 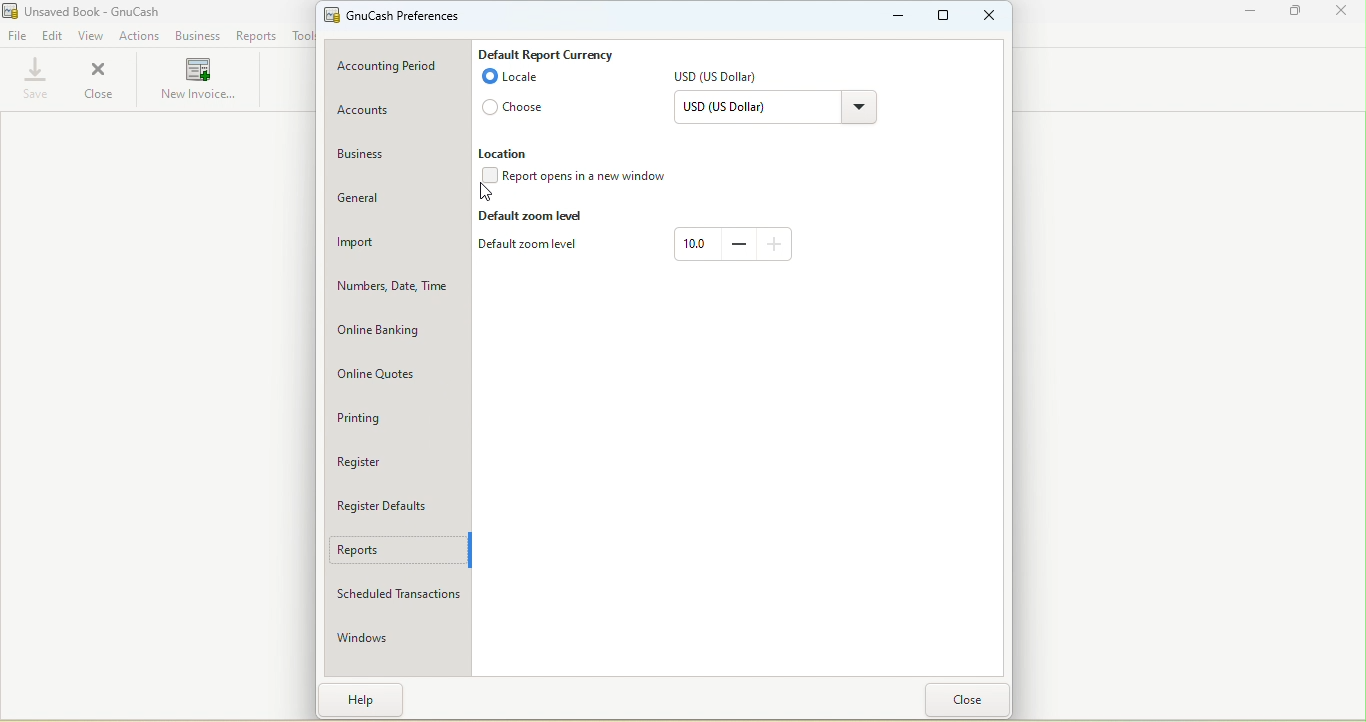 I want to click on USD, so click(x=722, y=79).